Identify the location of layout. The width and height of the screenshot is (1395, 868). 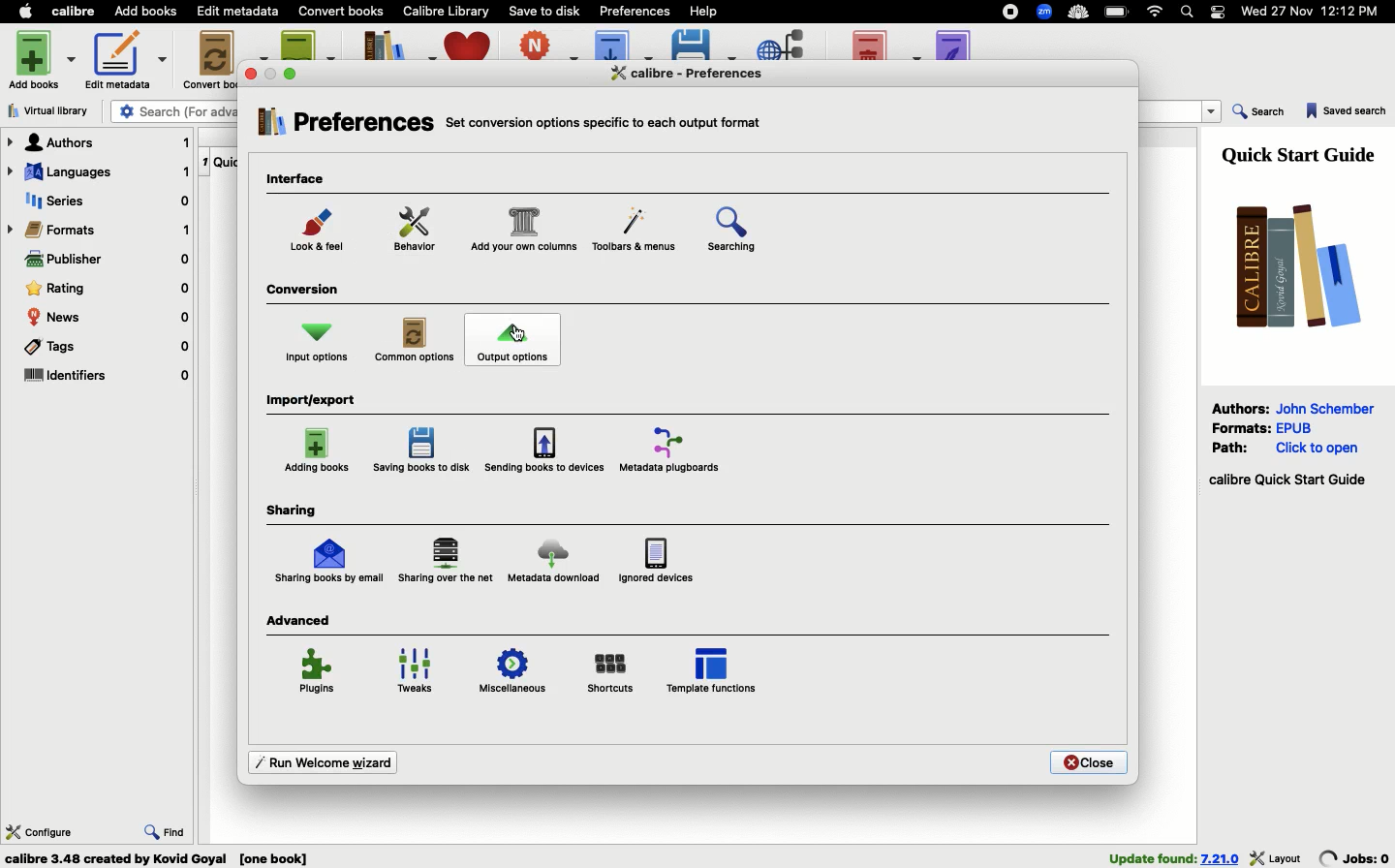
(1277, 857).